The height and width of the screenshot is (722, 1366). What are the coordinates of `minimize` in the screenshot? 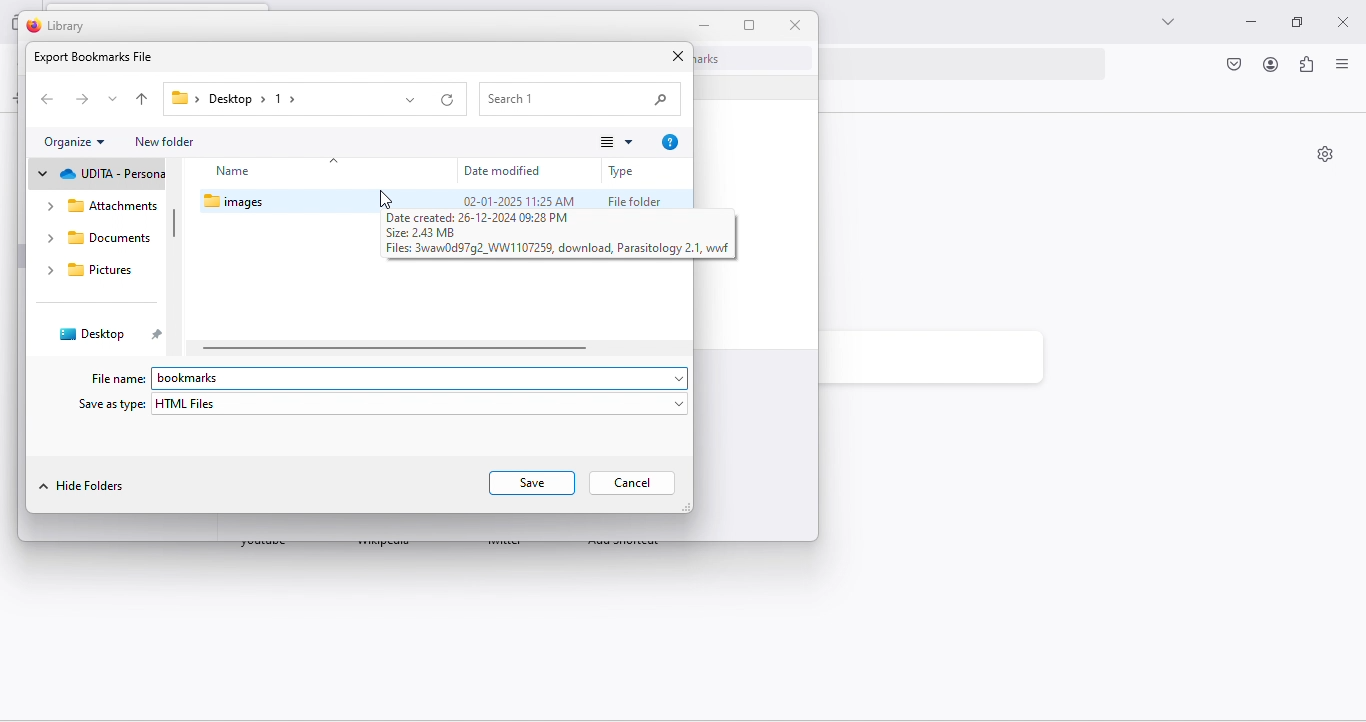 It's located at (705, 25).